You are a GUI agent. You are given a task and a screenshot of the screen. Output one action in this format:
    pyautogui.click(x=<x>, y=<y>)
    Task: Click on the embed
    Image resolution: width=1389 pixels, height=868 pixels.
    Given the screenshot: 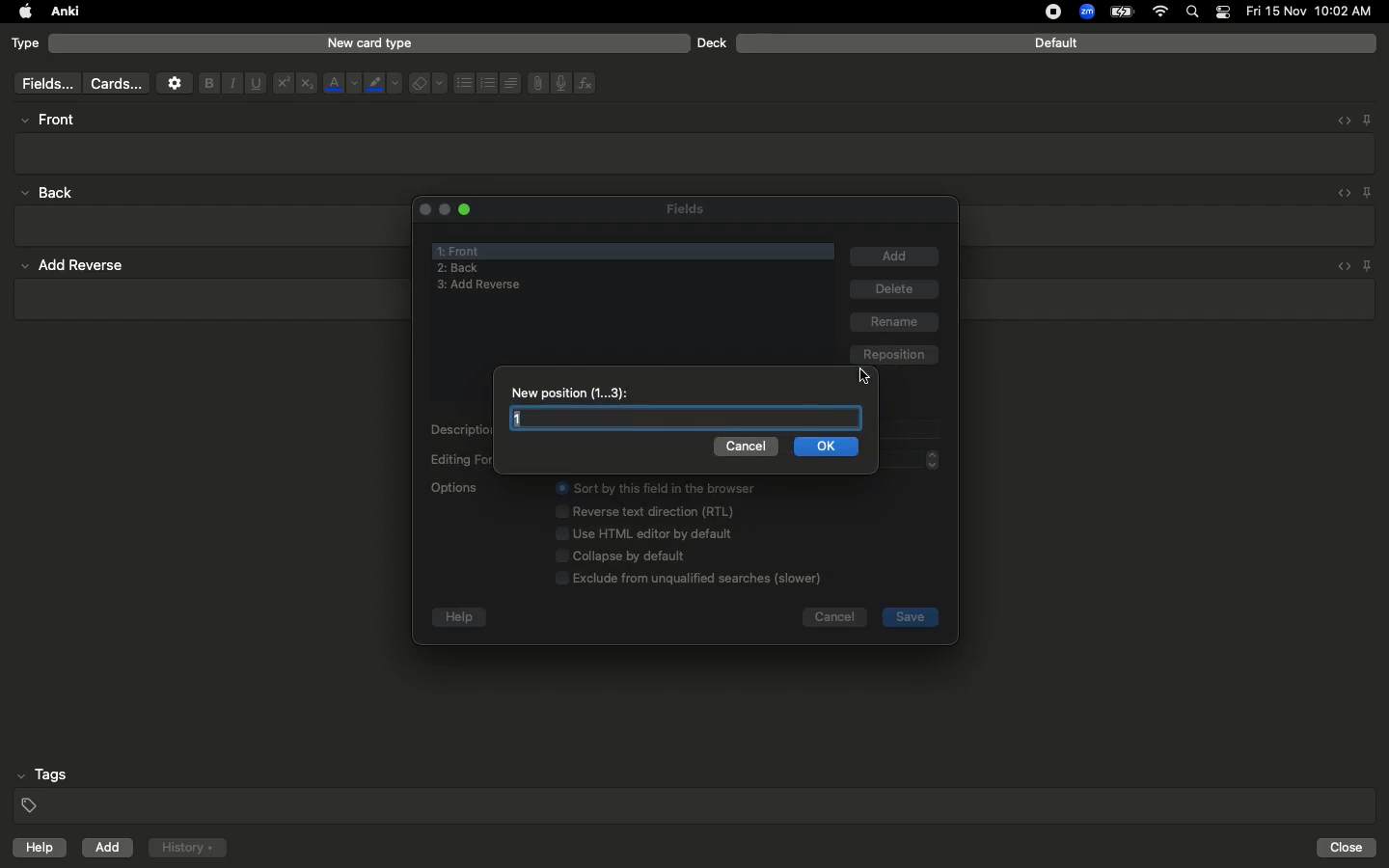 What is the action you would take?
    pyautogui.click(x=1342, y=264)
    